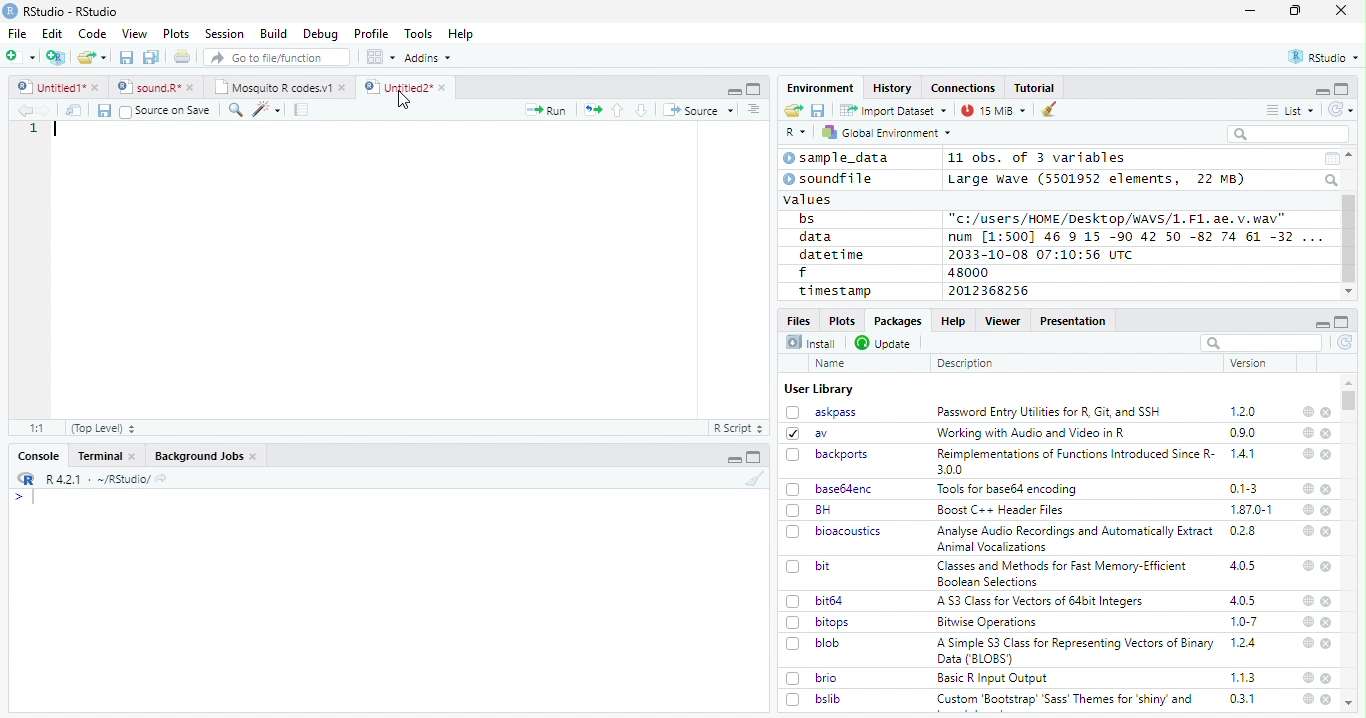  What do you see at coordinates (56, 57) in the screenshot?
I see `Create a project` at bounding box center [56, 57].